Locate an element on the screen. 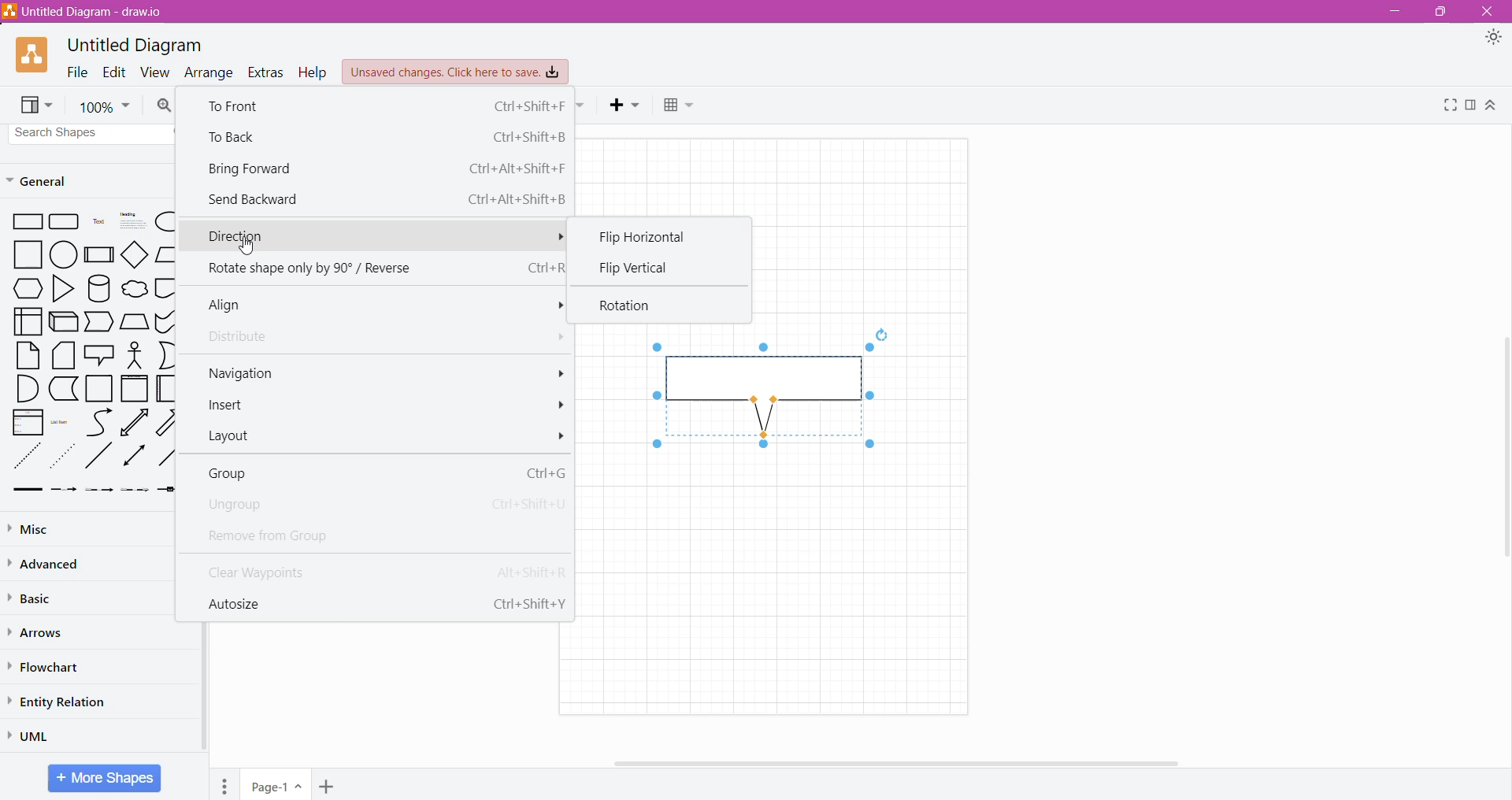 The image size is (1512, 800). Arrow with a Box is located at coordinates (166, 490).